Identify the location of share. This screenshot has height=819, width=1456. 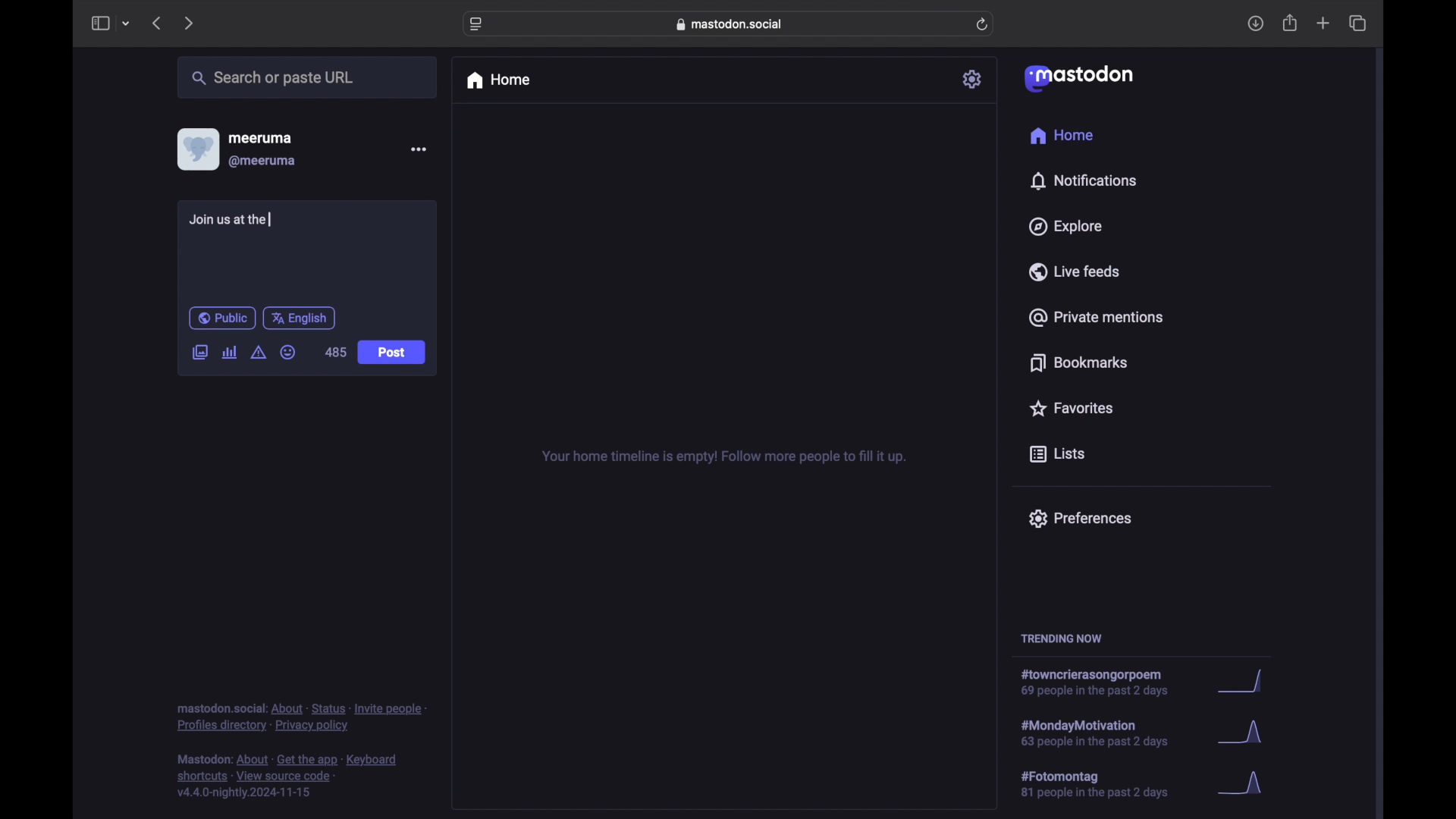
(1291, 24).